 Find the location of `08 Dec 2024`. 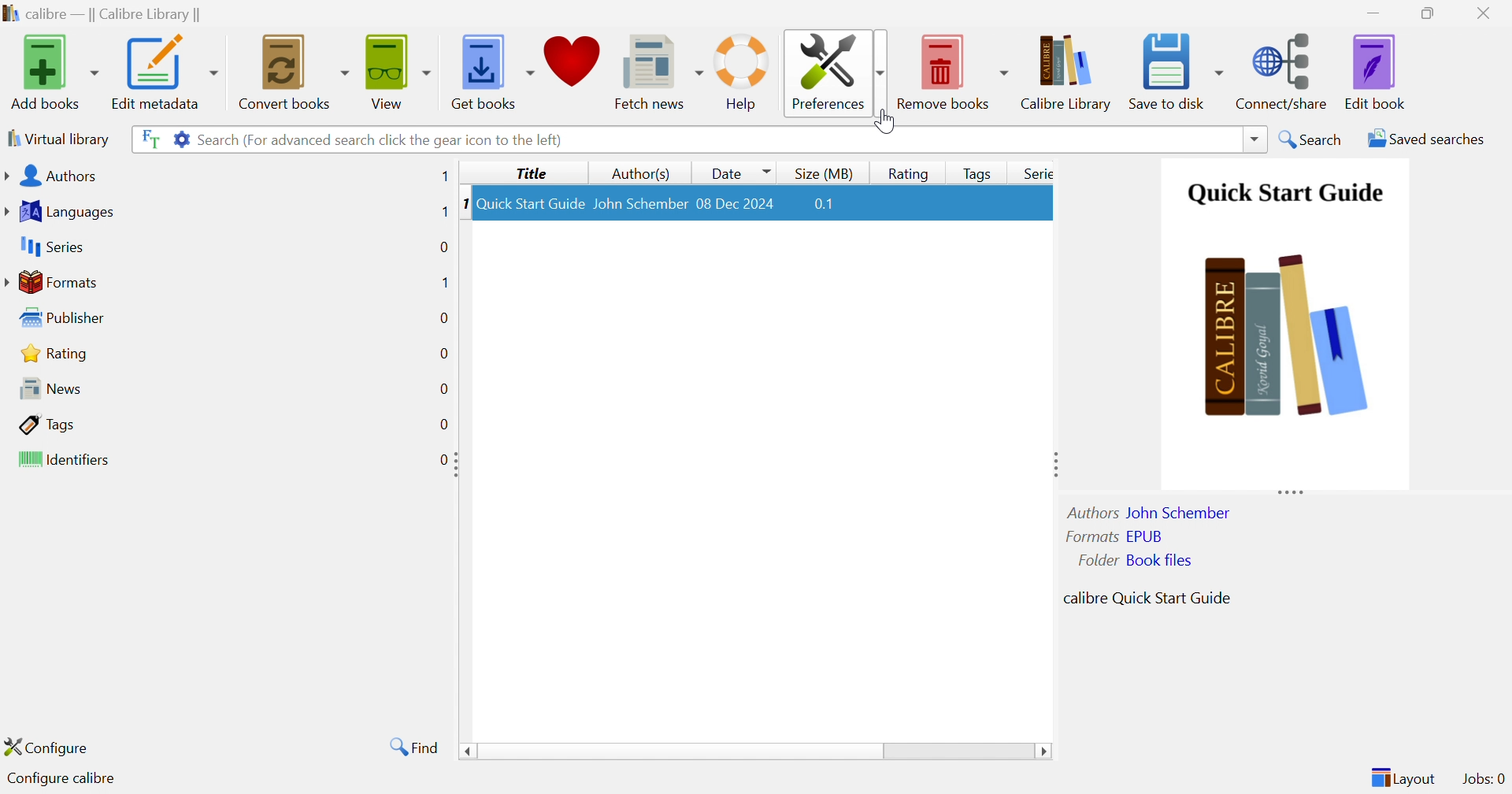

08 Dec 2024 is located at coordinates (736, 202).